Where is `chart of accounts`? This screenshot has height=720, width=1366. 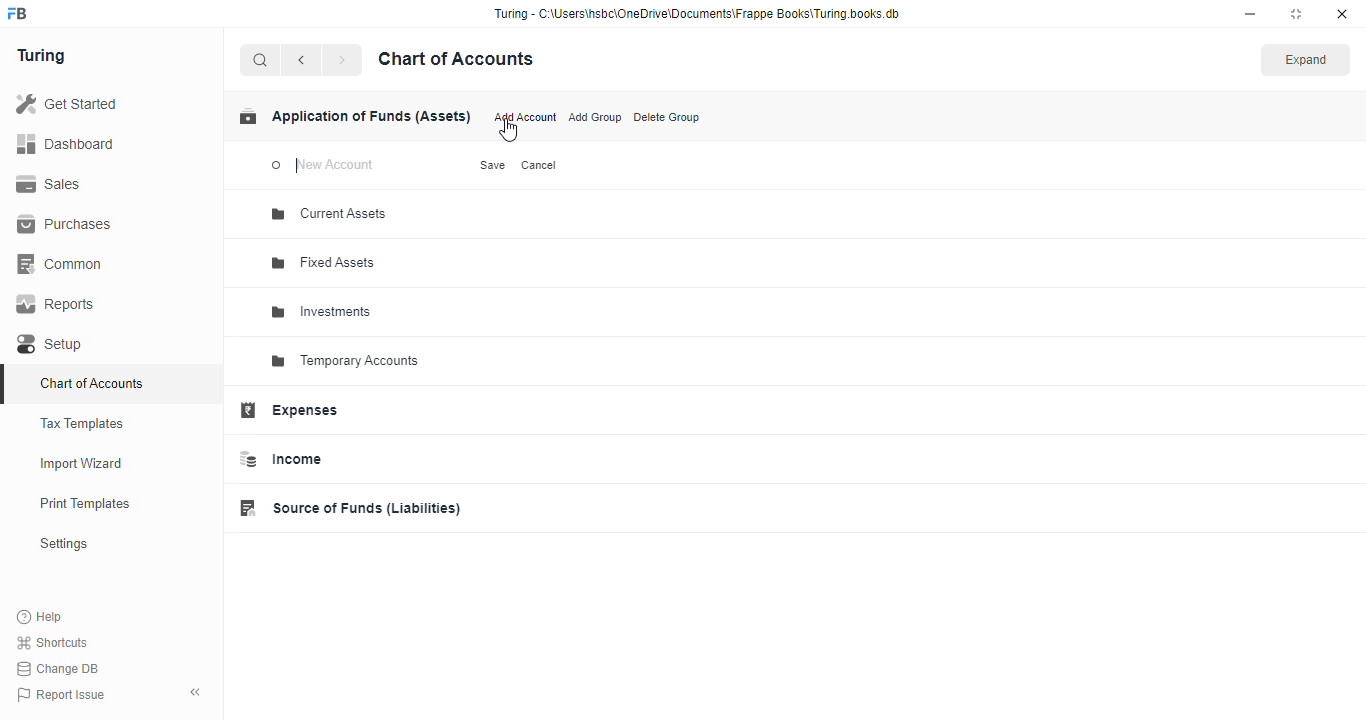
chart of accounts is located at coordinates (456, 59).